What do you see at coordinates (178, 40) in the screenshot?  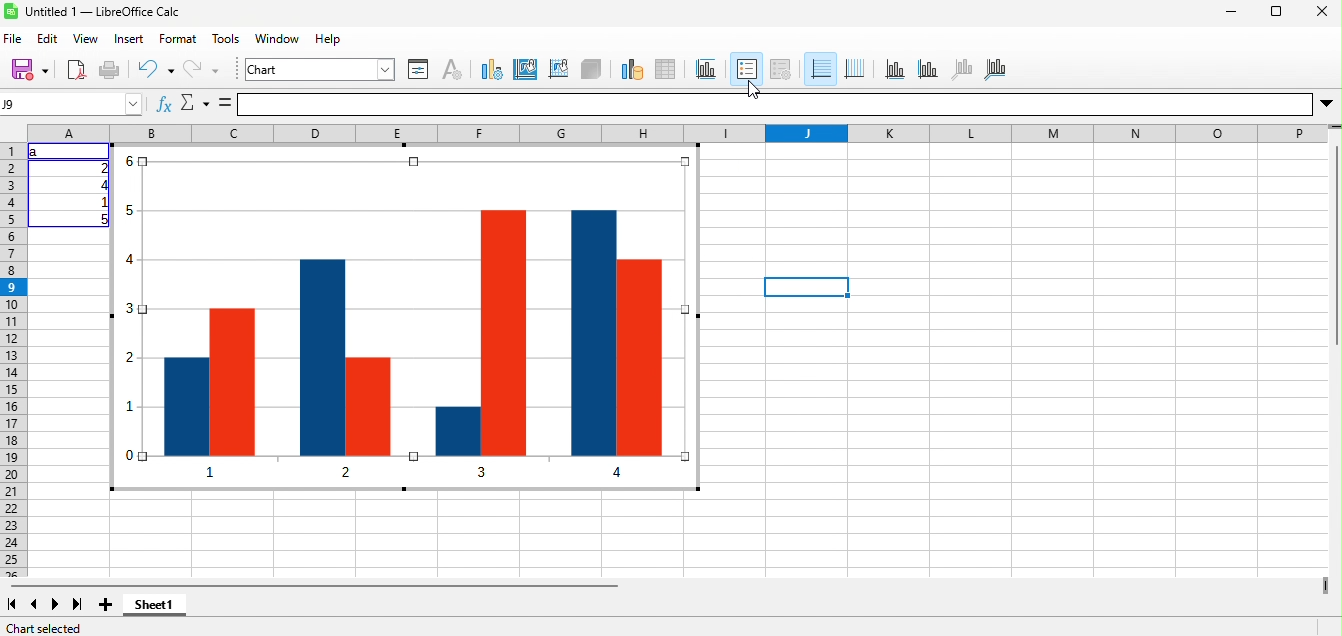 I see `format` at bounding box center [178, 40].